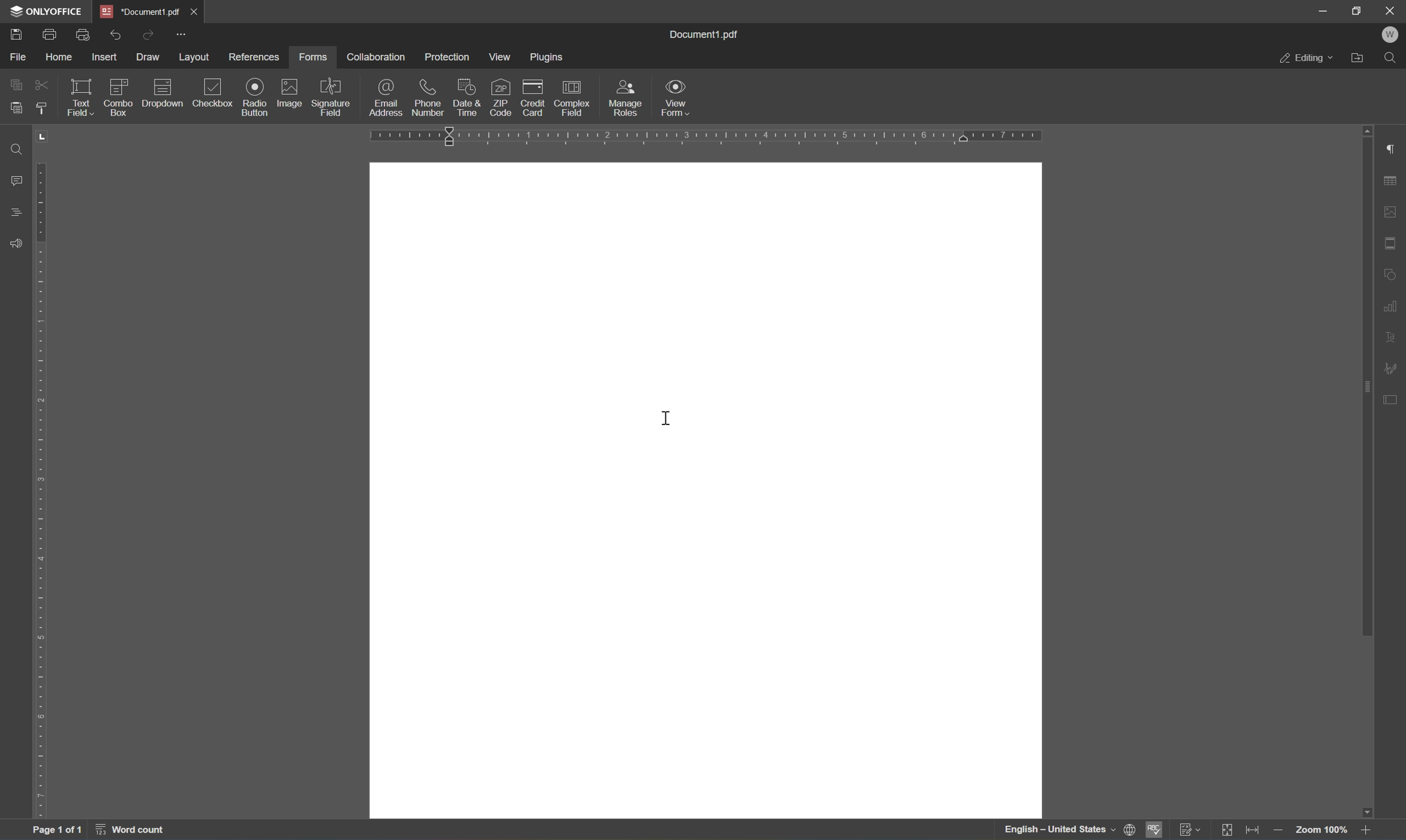 The width and height of the screenshot is (1406, 840). What do you see at coordinates (1304, 59) in the screenshot?
I see `editing` at bounding box center [1304, 59].